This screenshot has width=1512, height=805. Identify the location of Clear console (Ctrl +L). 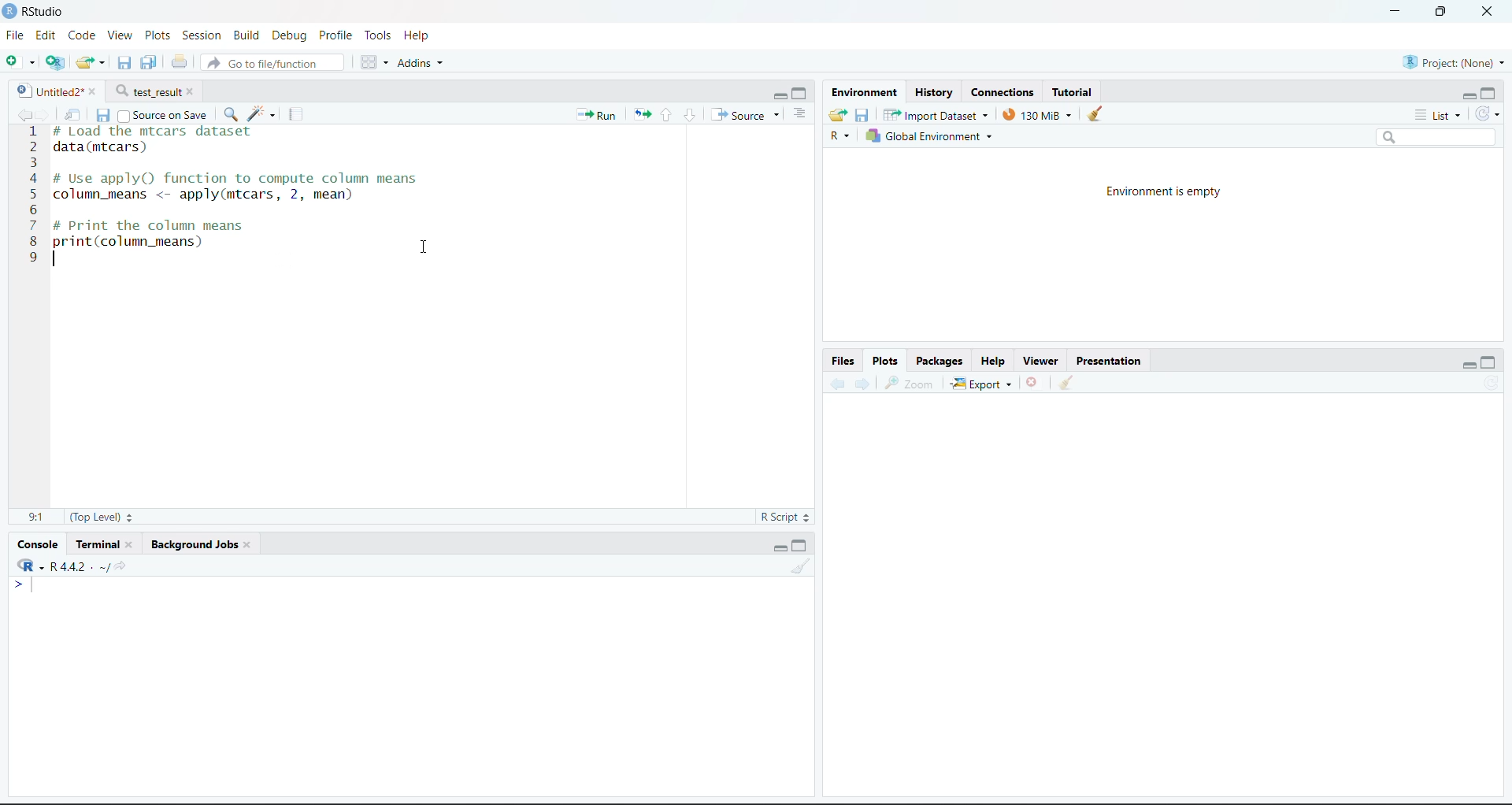
(1097, 114).